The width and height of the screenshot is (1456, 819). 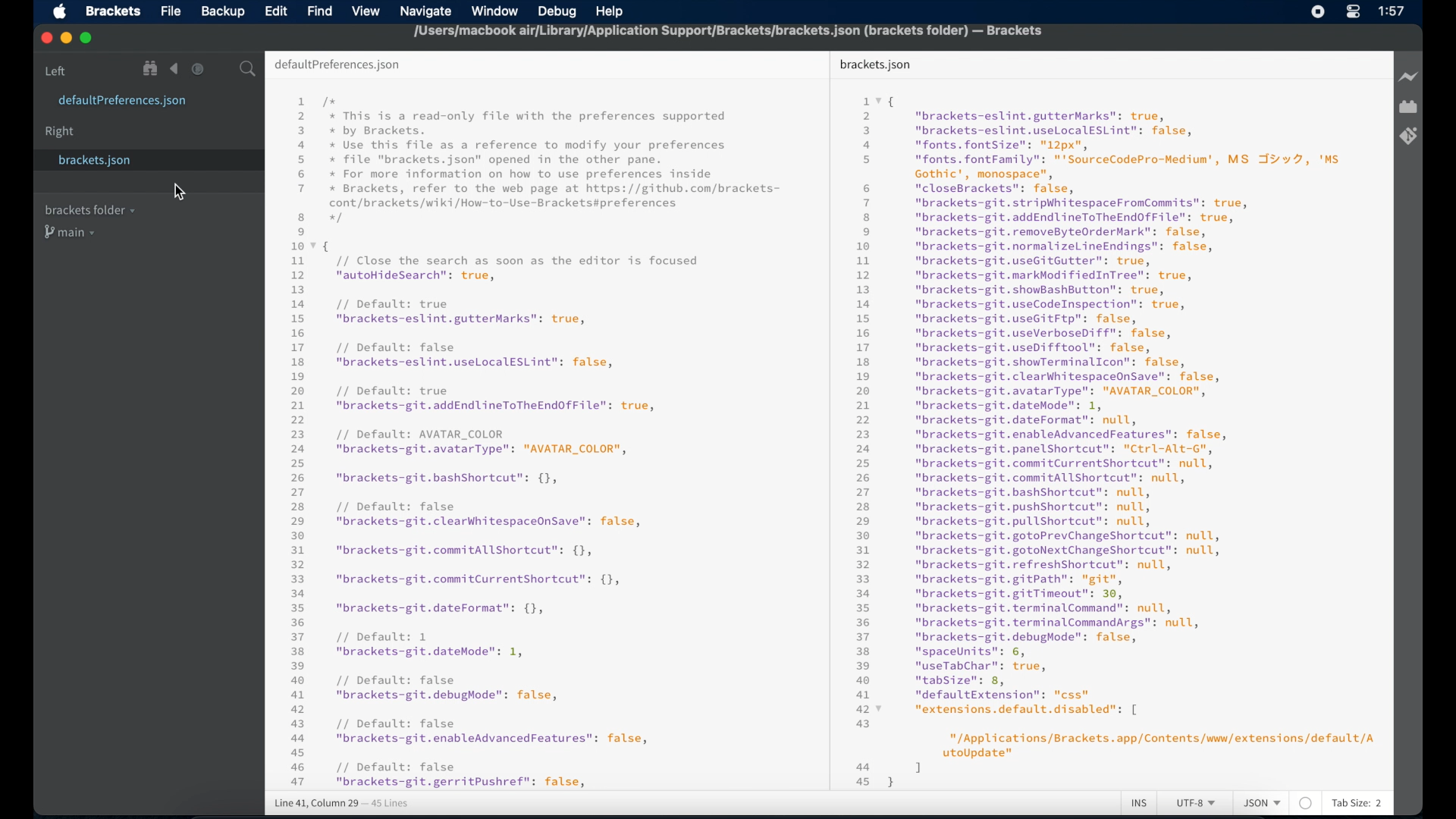 I want to click on line 41, column 30 - 45 lines, so click(x=341, y=804).